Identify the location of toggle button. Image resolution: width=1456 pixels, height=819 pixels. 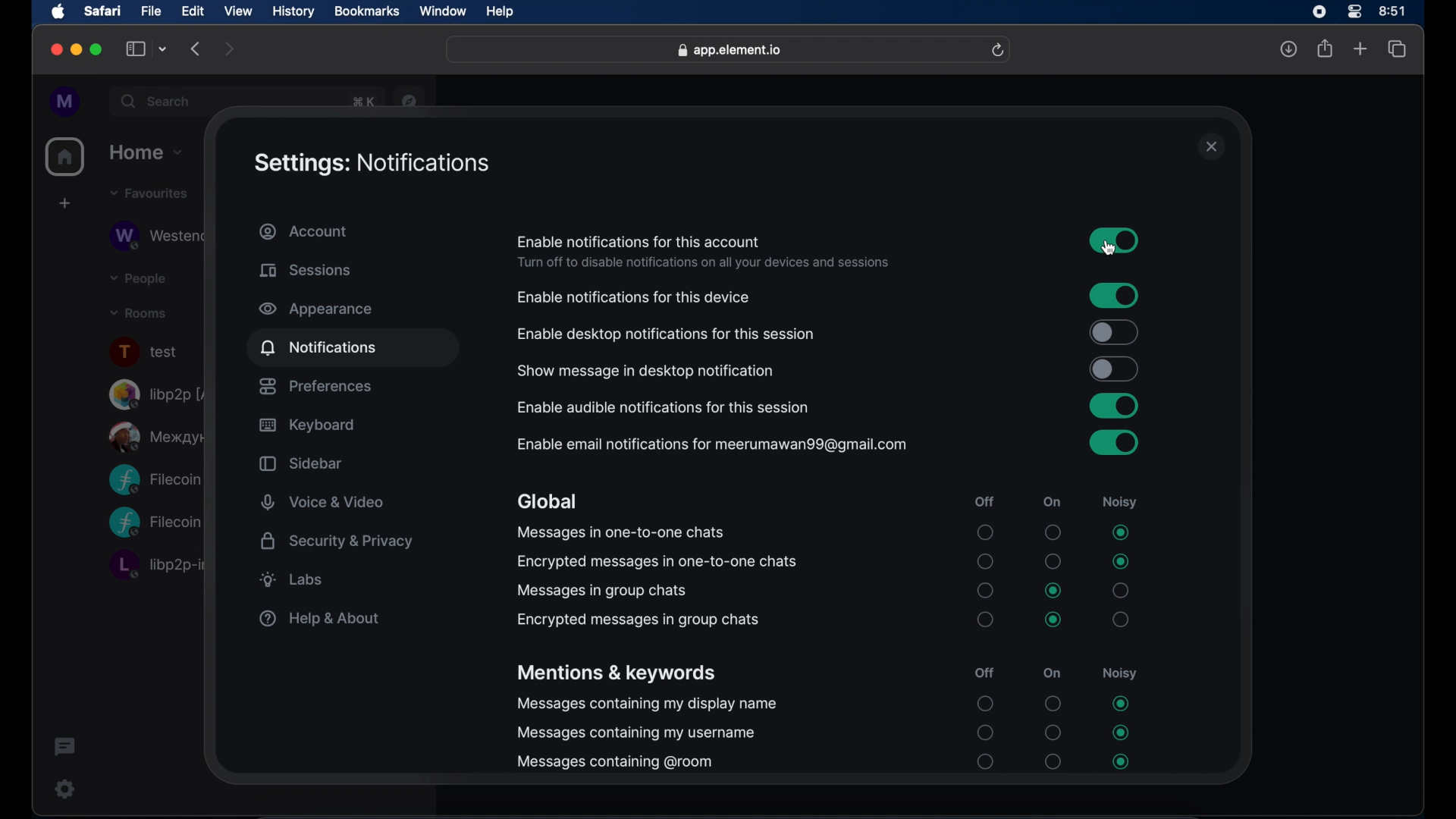
(1112, 369).